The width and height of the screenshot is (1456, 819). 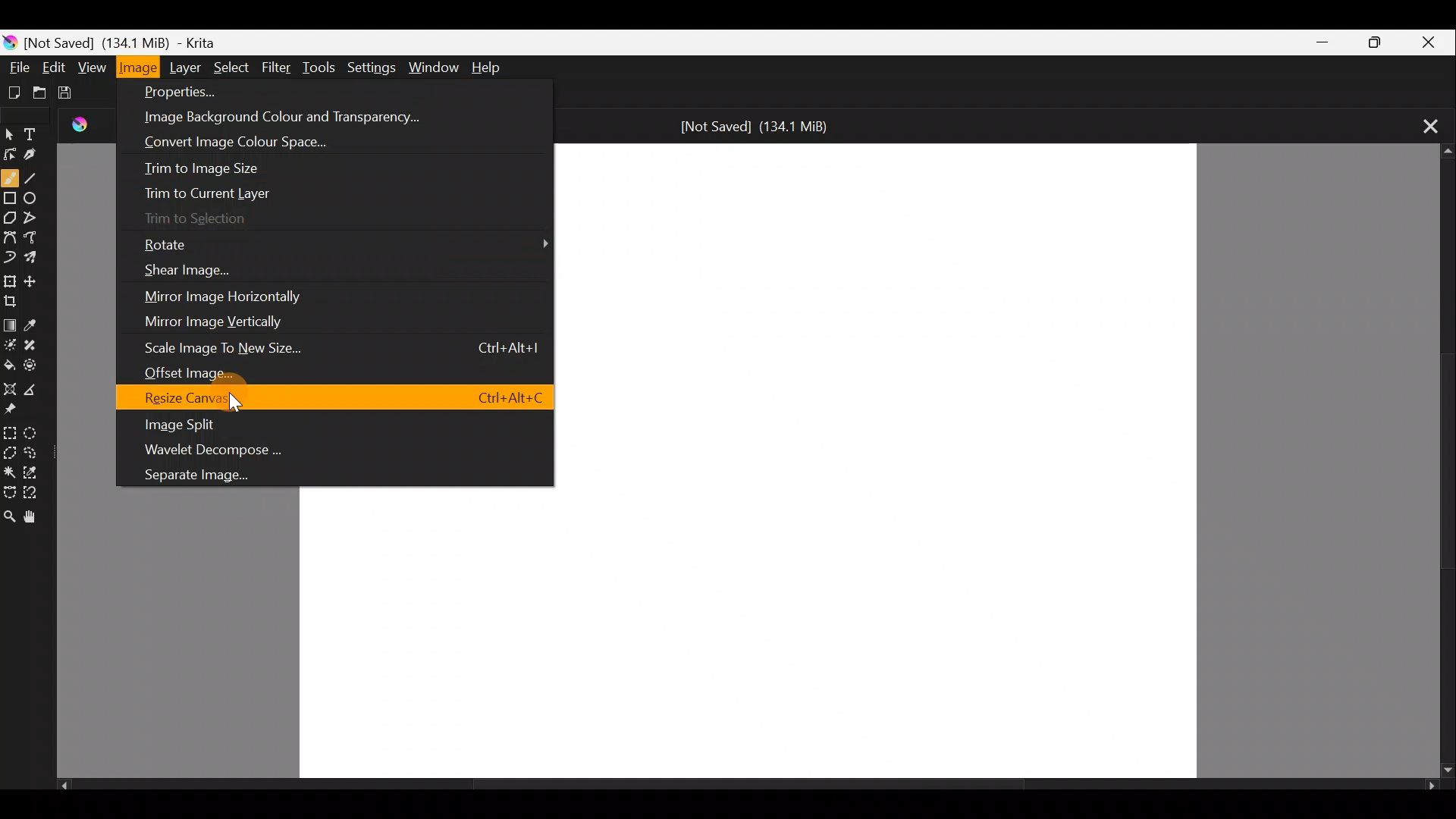 I want to click on Bezier curve tool, so click(x=11, y=235).